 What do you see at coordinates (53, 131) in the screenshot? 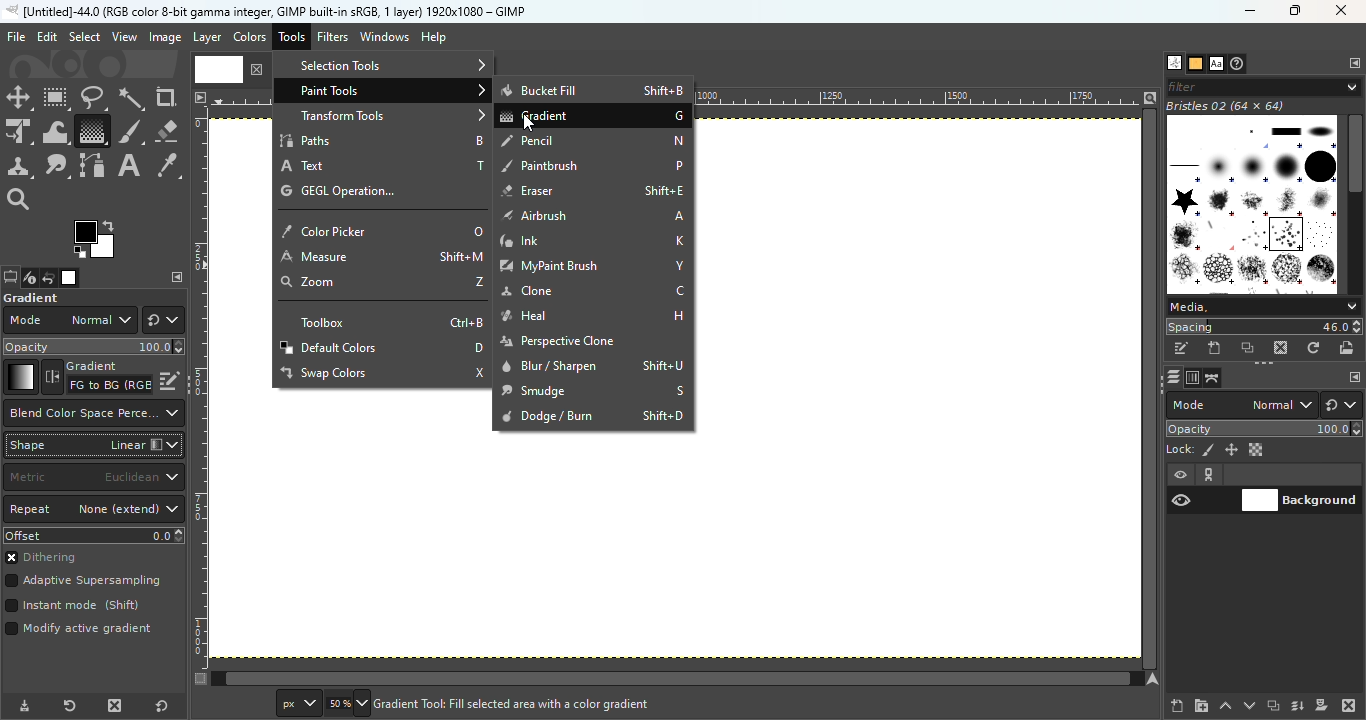
I see `Wrap transform` at bounding box center [53, 131].